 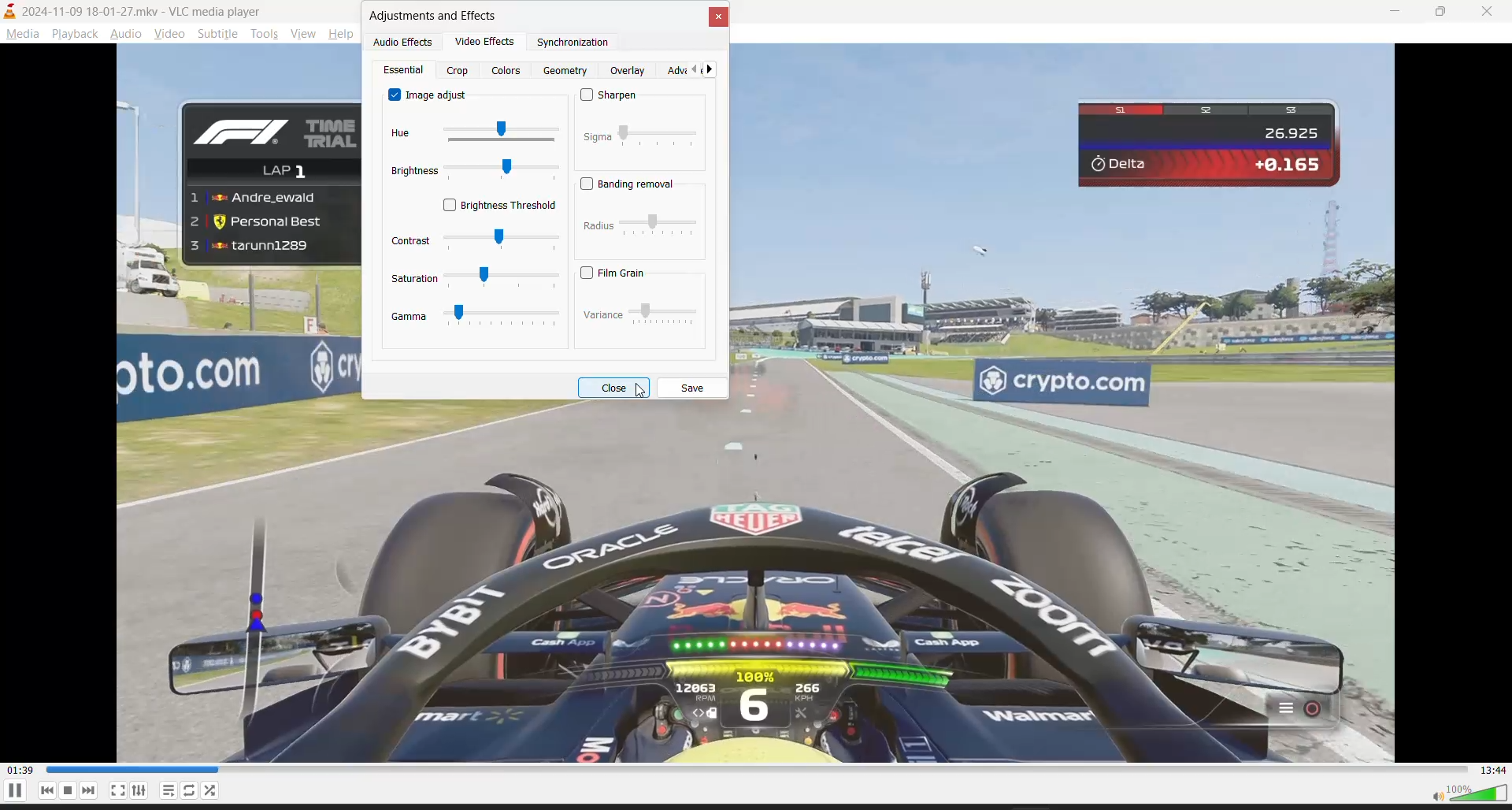 What do you see at coordinates (758, 587) in the screenshot?
I see `video contrast increased` at bounding box center [758, 587].